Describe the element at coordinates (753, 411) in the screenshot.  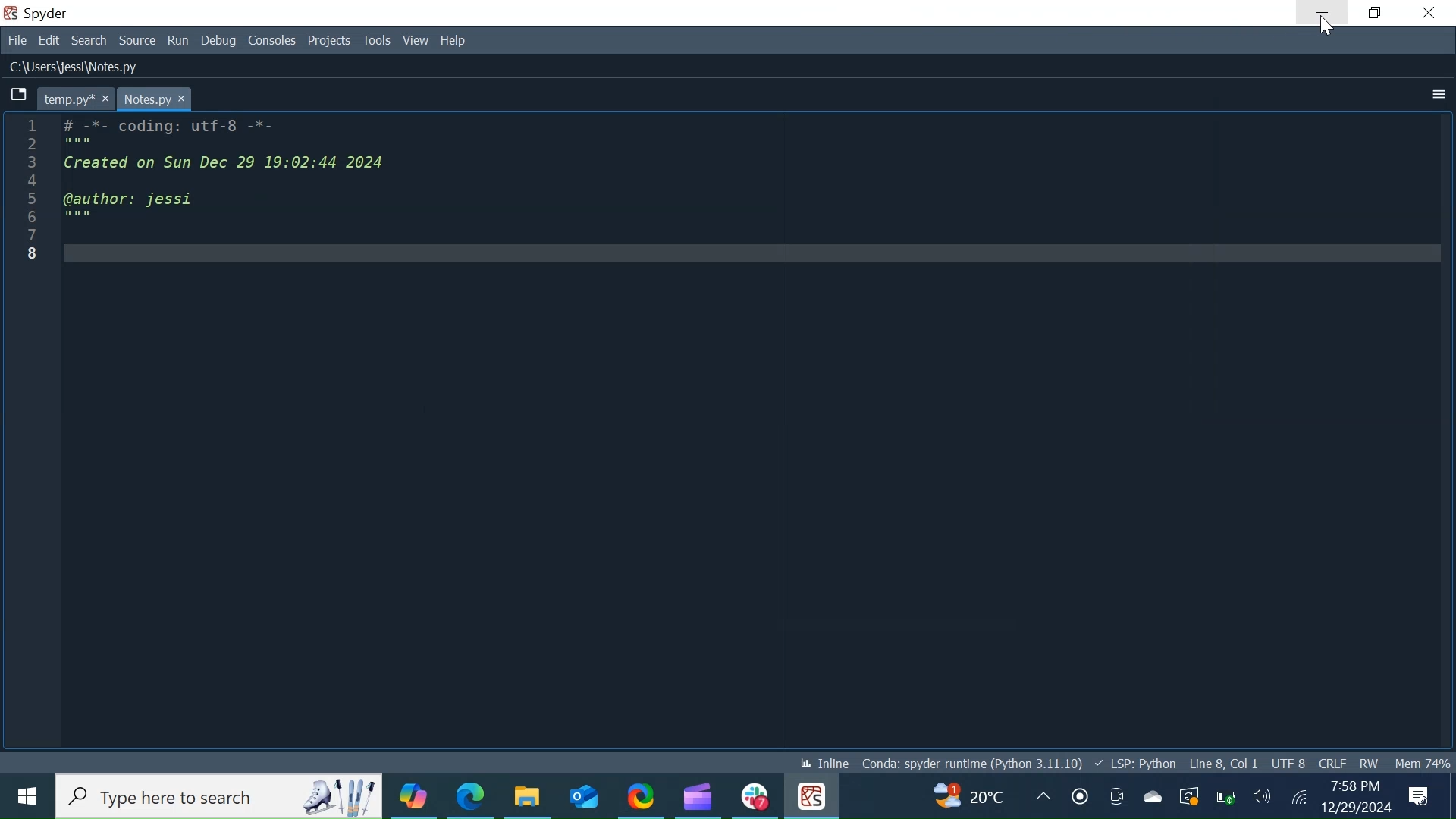
I see `# -*- coding: utT-6 -*-
Created on Sun Dec 29 19:02:44 2024
@author: jessi` at that location.